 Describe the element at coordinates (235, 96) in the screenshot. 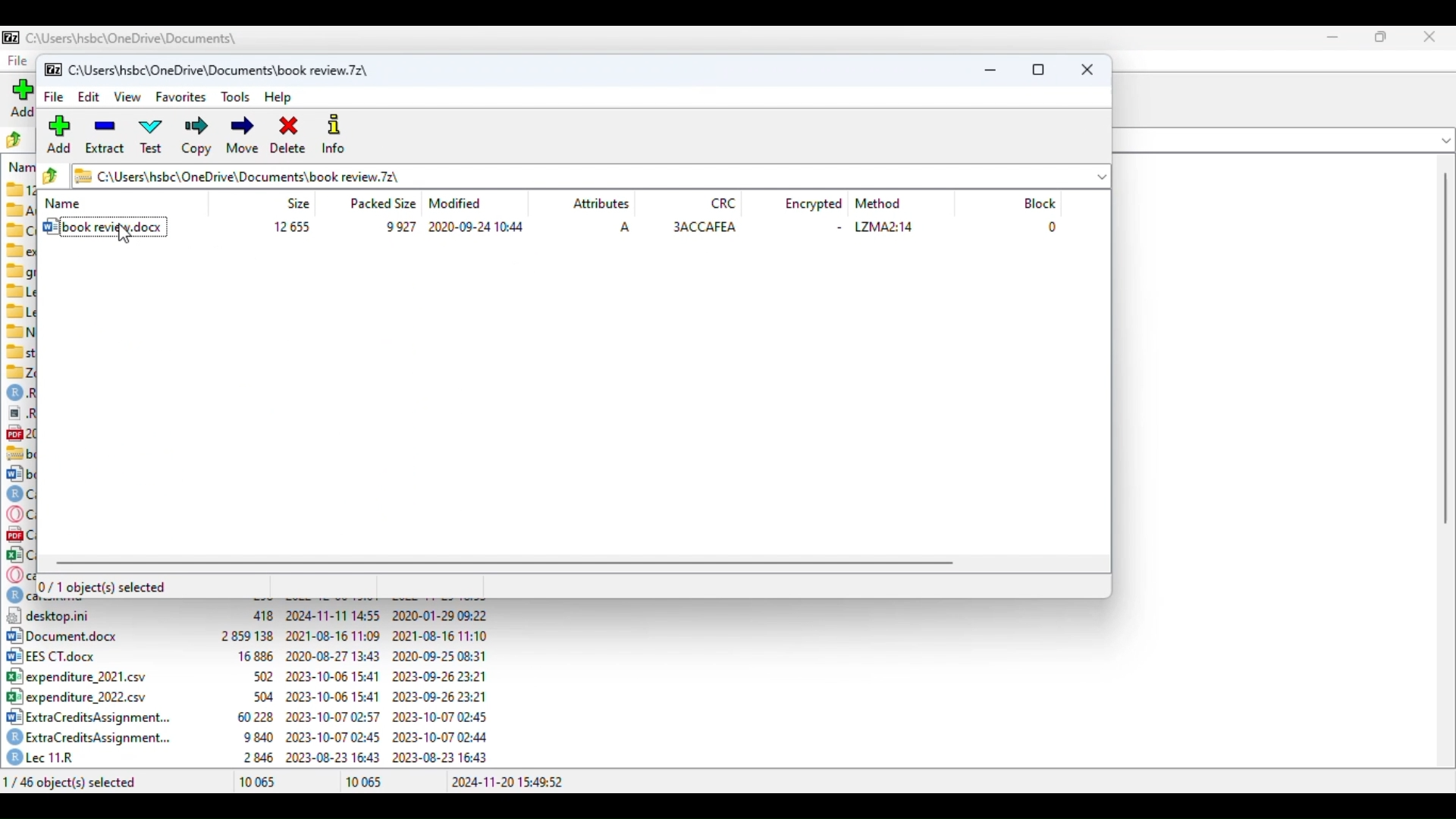

I see `tools` at that location.